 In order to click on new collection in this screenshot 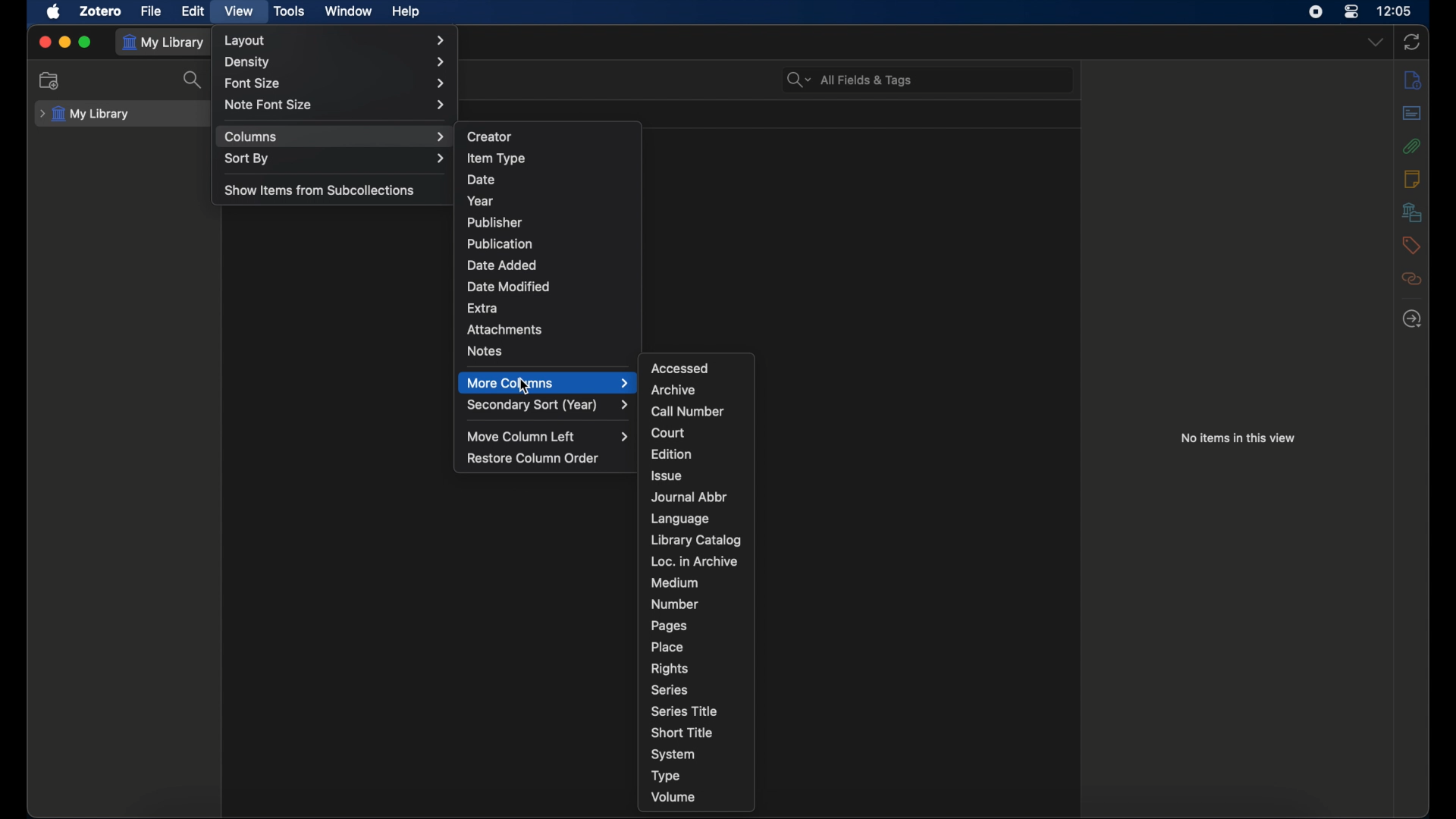, I will do `click(49, 80)`.